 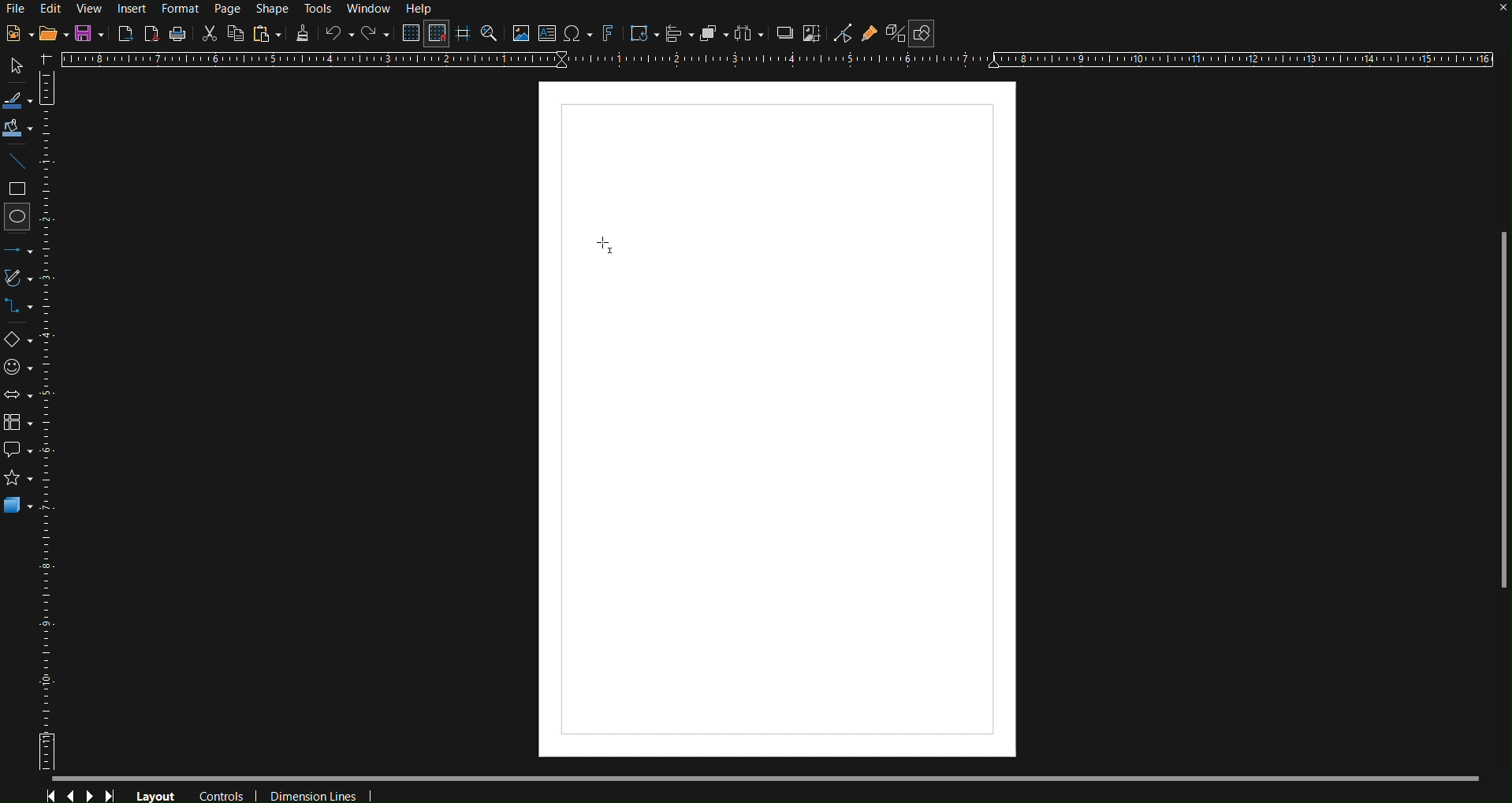 What do you see at coordinates (82, 792) in the screenshot?
I see `Controls` at bounding box center [82, 792].